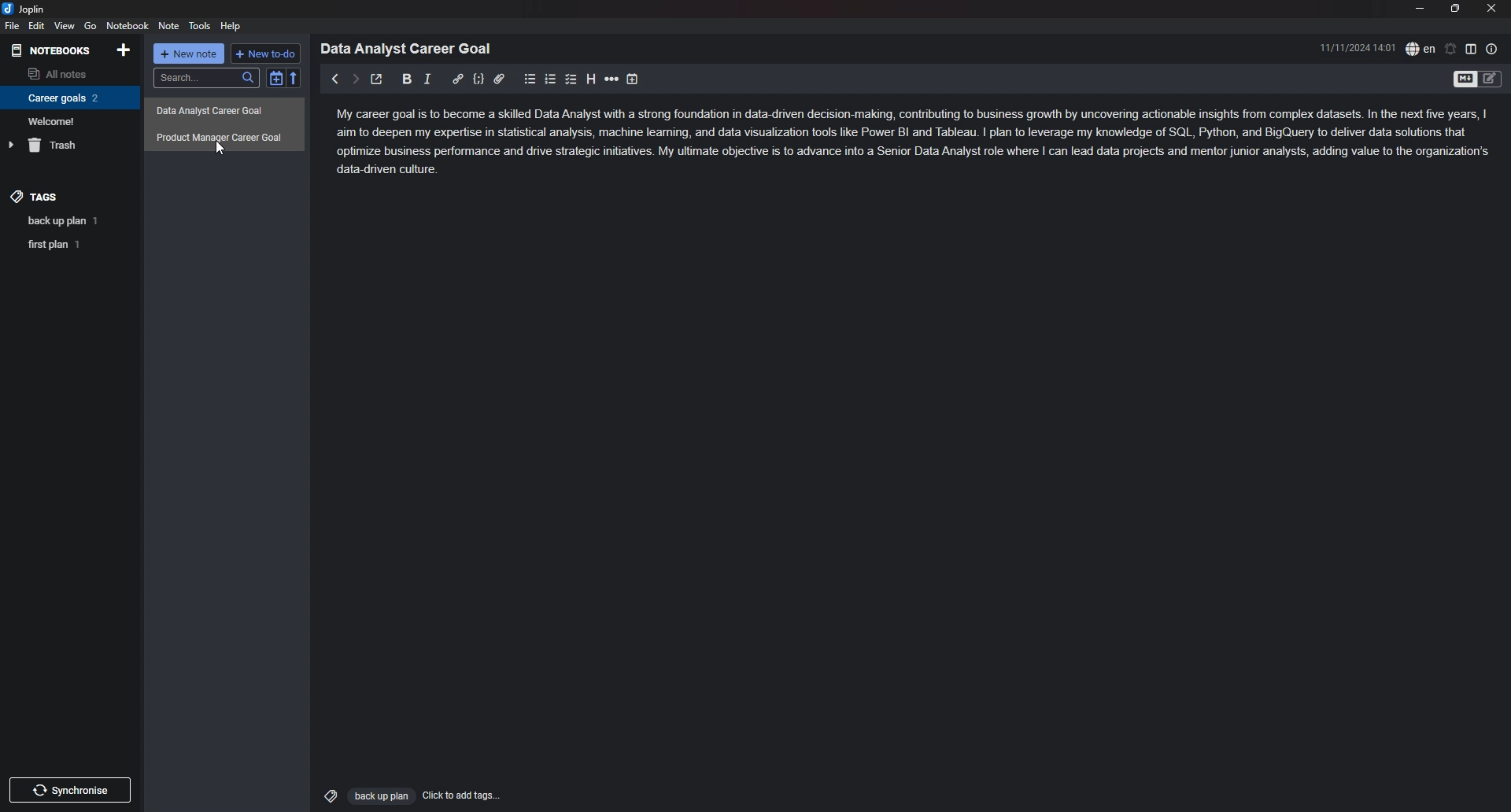 This screenshot has height=812, width=1511. I want to click on add time, so click(633, 79).